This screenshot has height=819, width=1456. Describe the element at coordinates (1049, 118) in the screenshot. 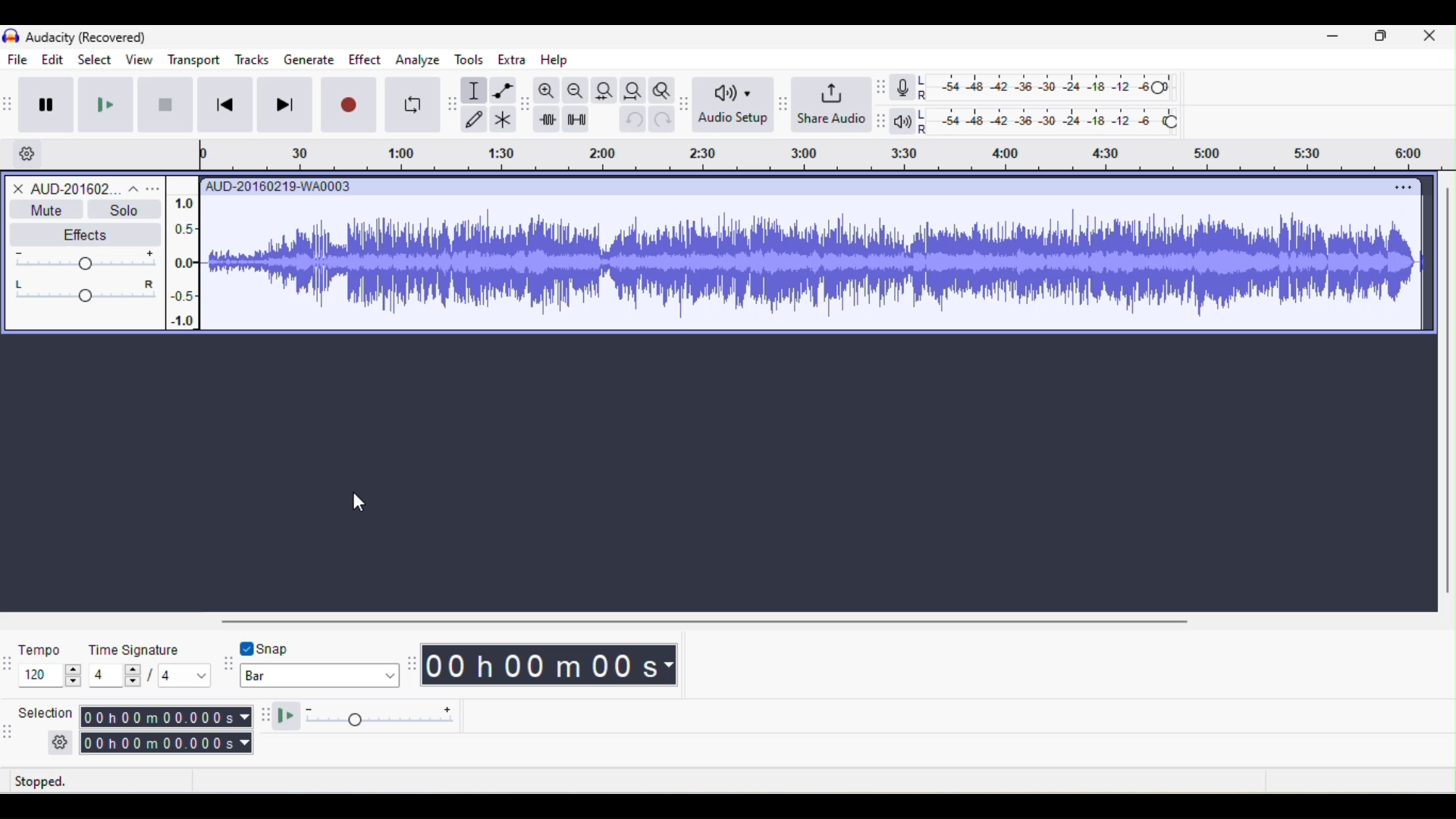

I see `playback level` at that location.